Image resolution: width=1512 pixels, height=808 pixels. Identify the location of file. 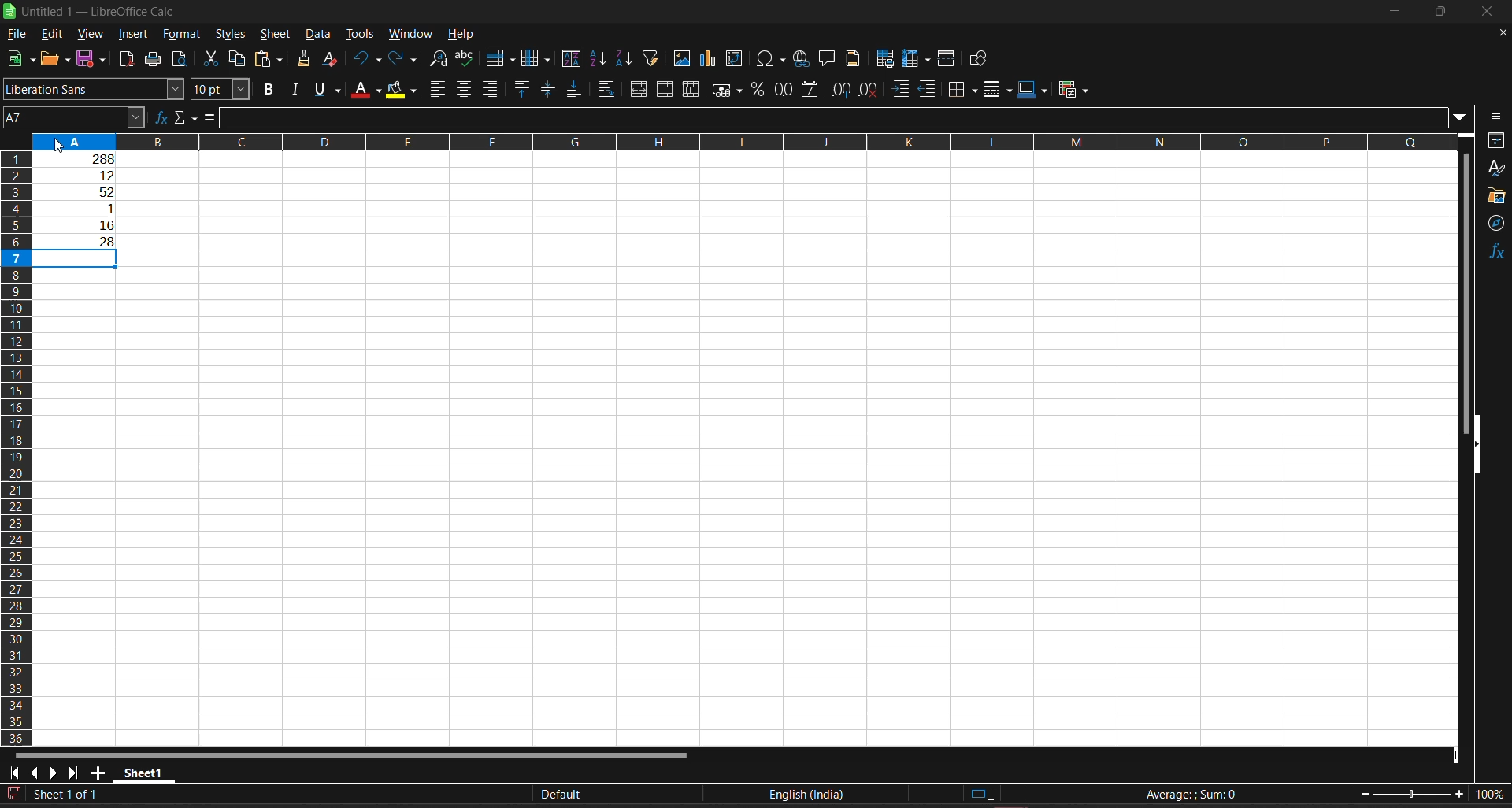
(17, 34).